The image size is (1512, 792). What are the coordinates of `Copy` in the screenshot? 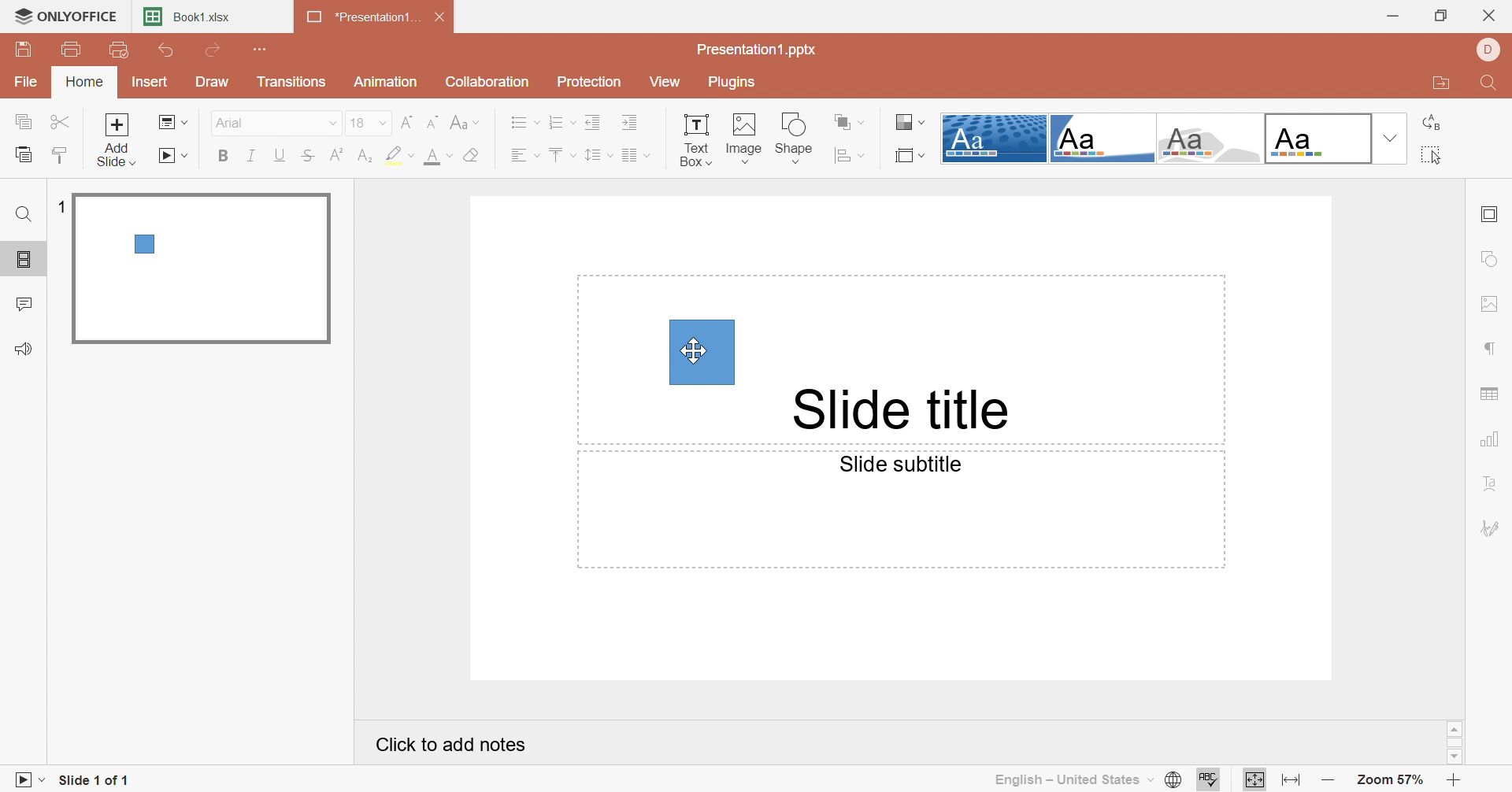 It's located at (25, 121).